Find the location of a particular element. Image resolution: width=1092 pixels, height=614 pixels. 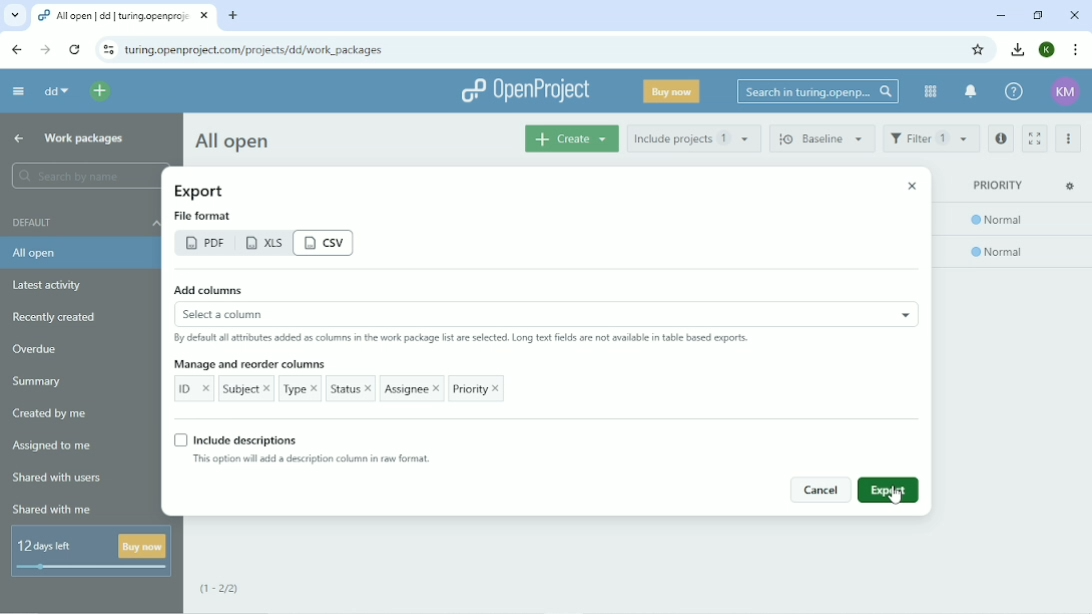

12 days left buy now is located at coordinates (91, 552).